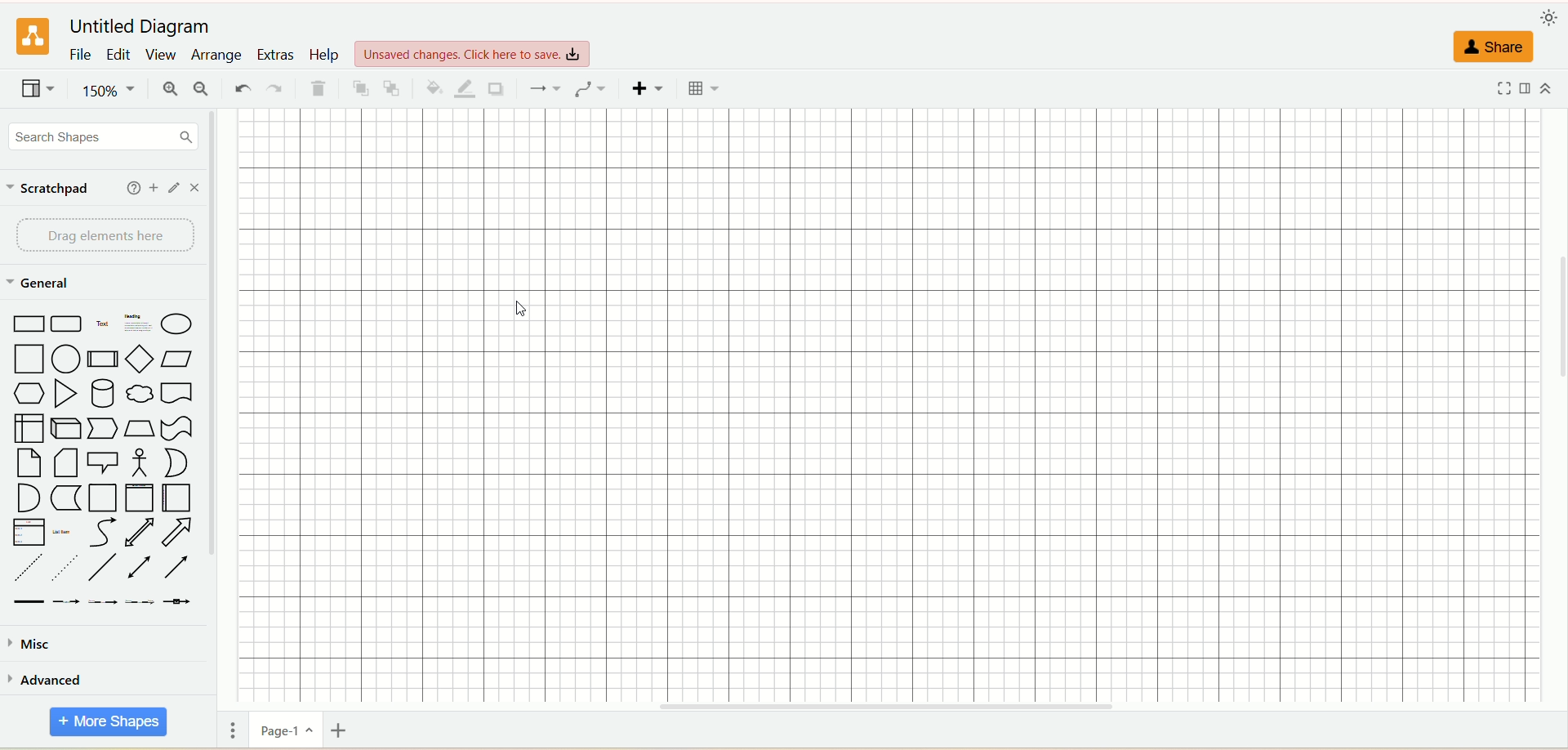 This screenshot has height=750, width=1568. I want to click on container, so click(104, 498).